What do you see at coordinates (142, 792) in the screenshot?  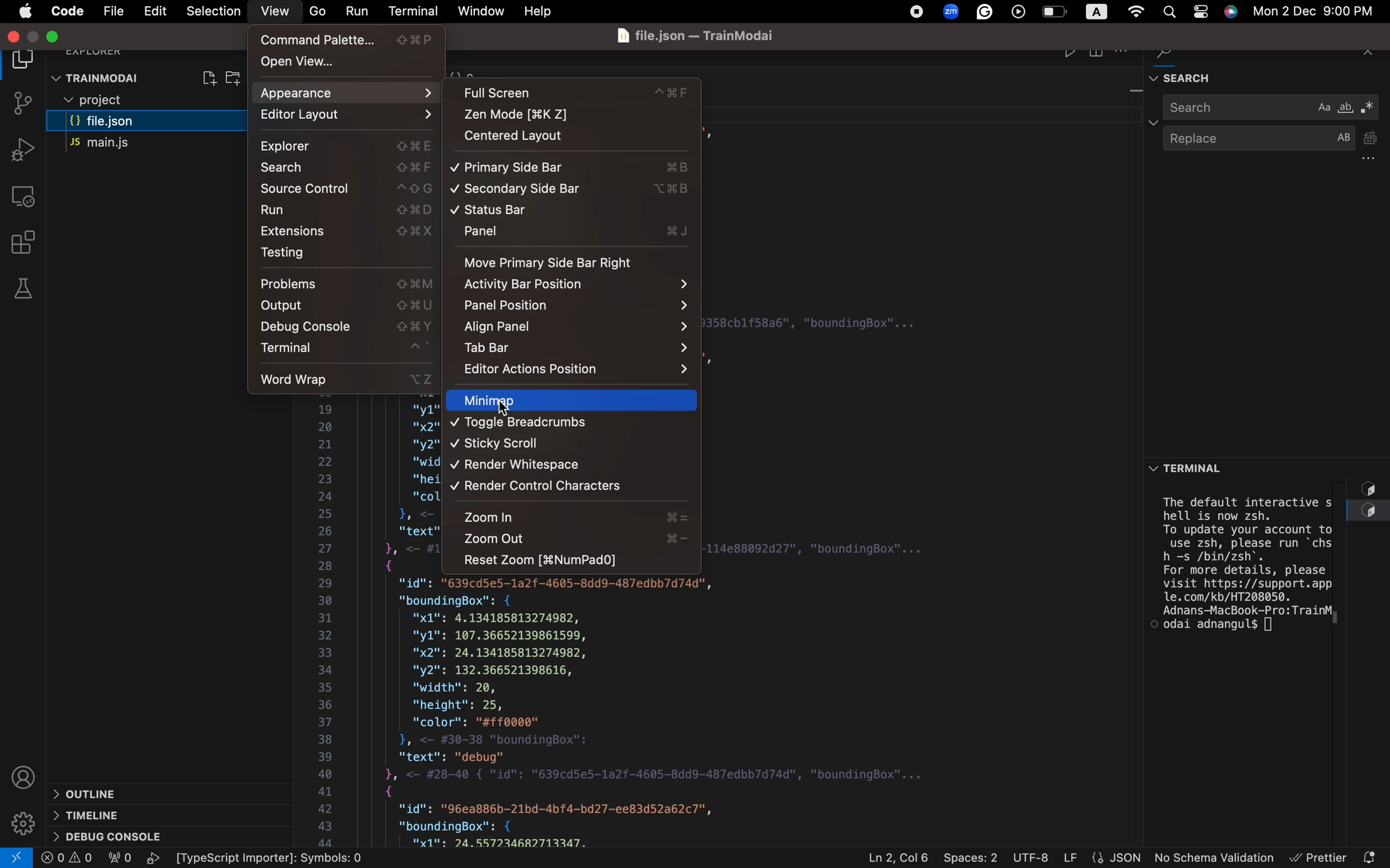 I see `outline` at bounding box center [142, 792].